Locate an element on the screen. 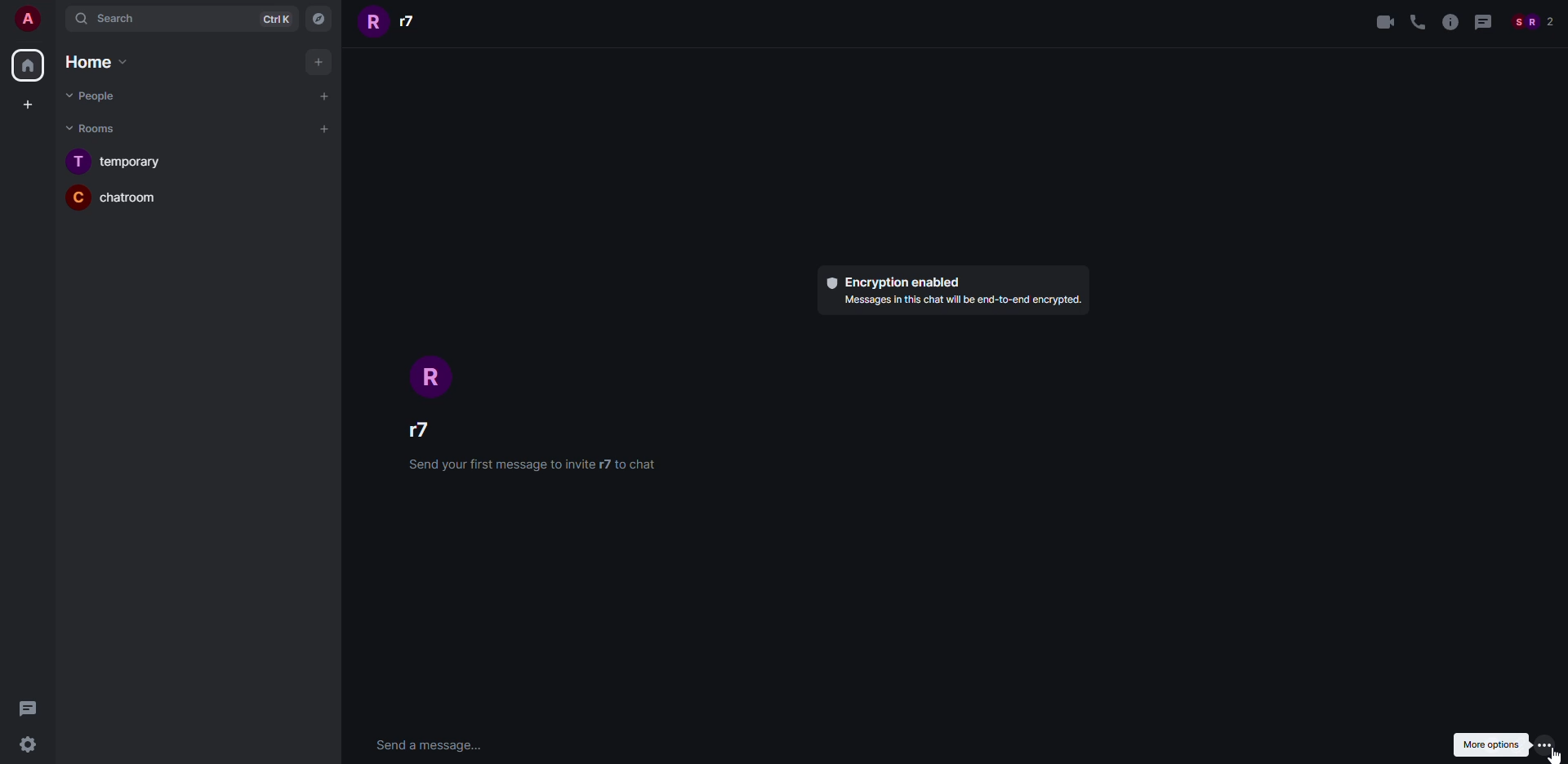  settingd is located at coordinates (25, 747).